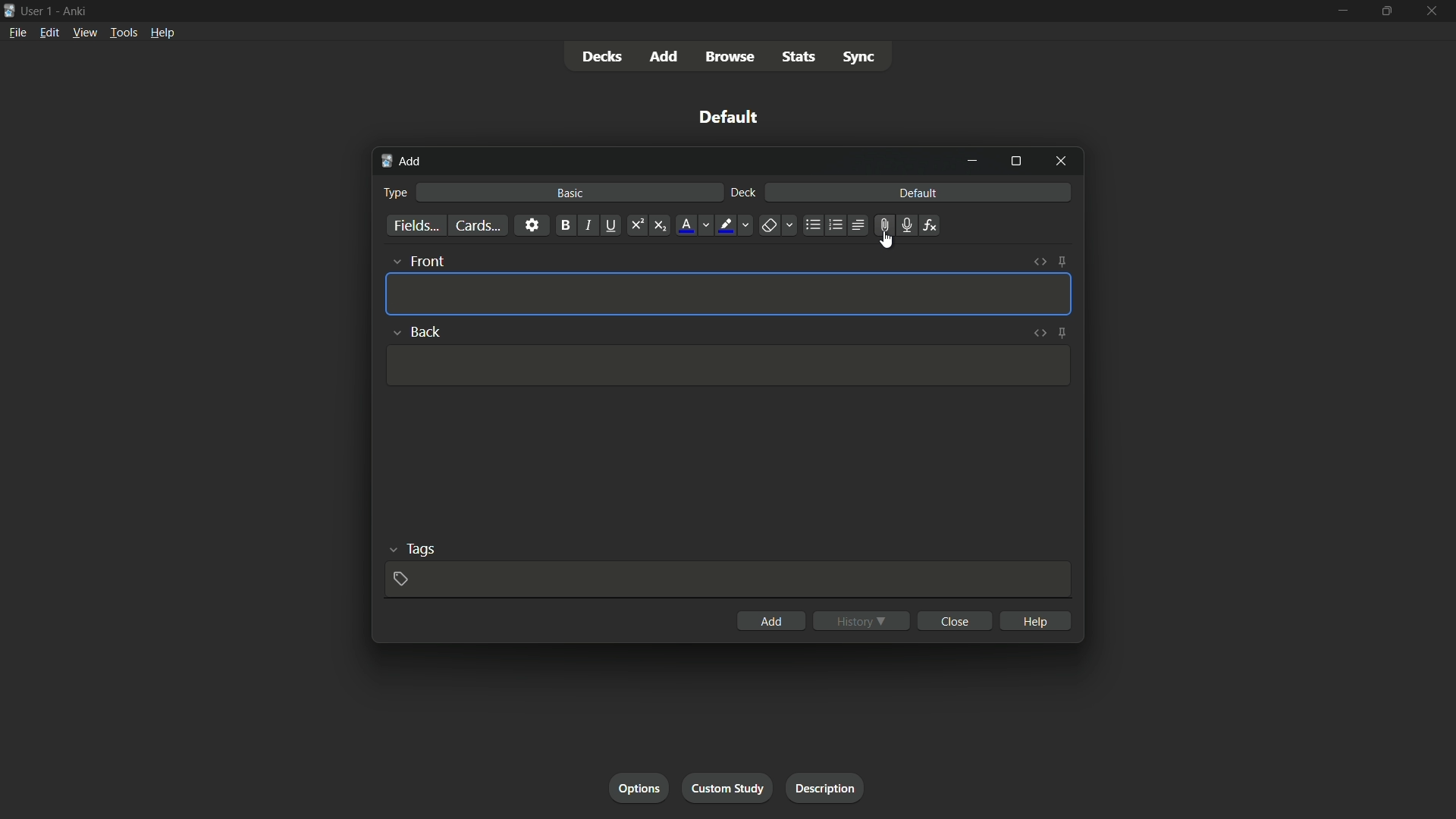 This screenshot has width=1456, height=819. Describe the element at coordinates (610, 224) in the screenshot. I see `underline` at that location.